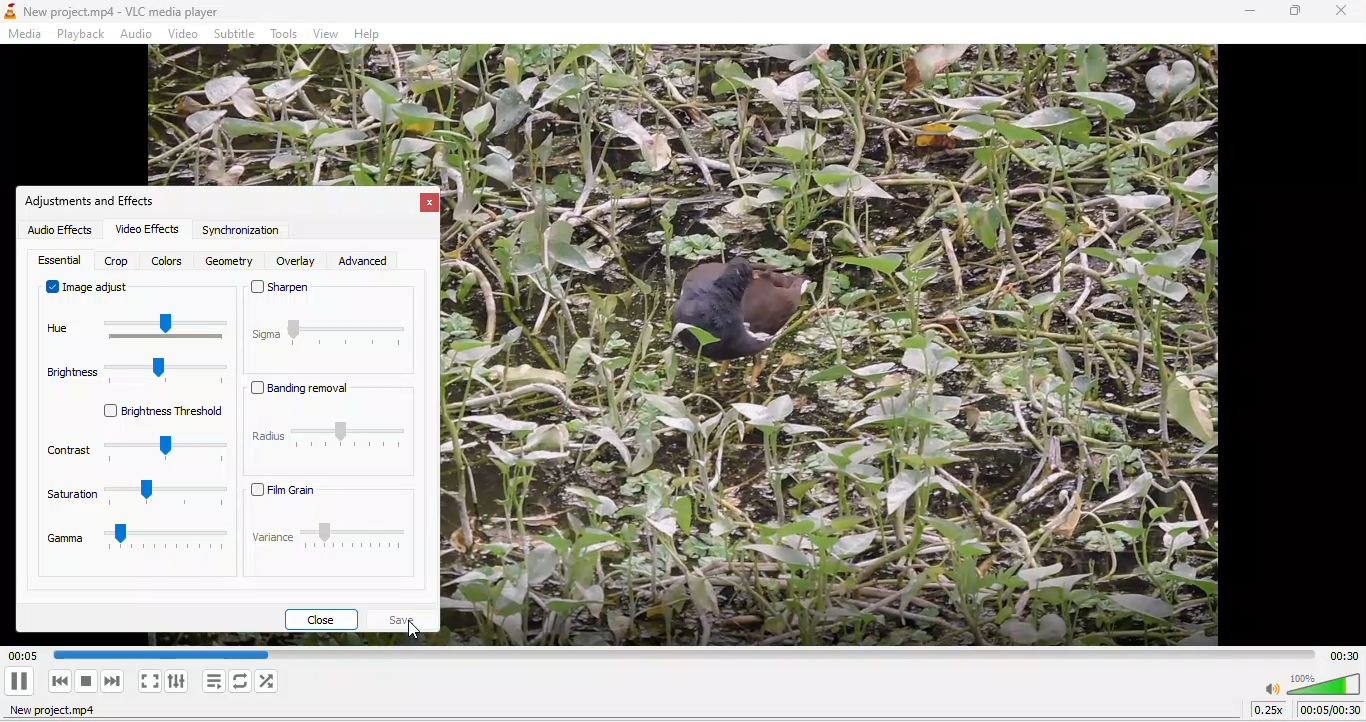  I want to click on advanced, so click(376, 260).